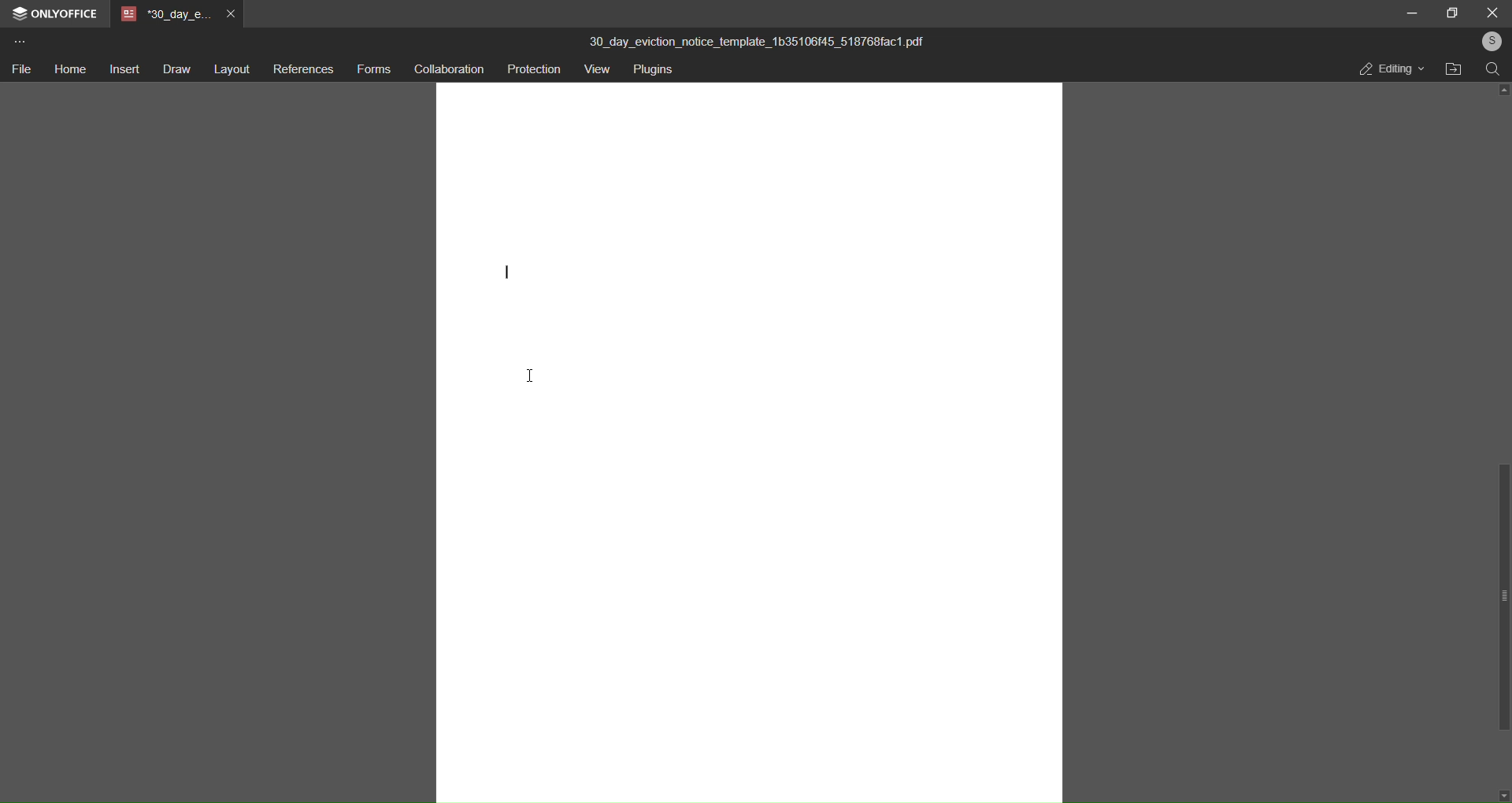 This screenshot has height=803, width=1512. What do you see at coordinates (1450, 68) in the screenshot?
I see `open file location` at bounding box center [1450, 68].